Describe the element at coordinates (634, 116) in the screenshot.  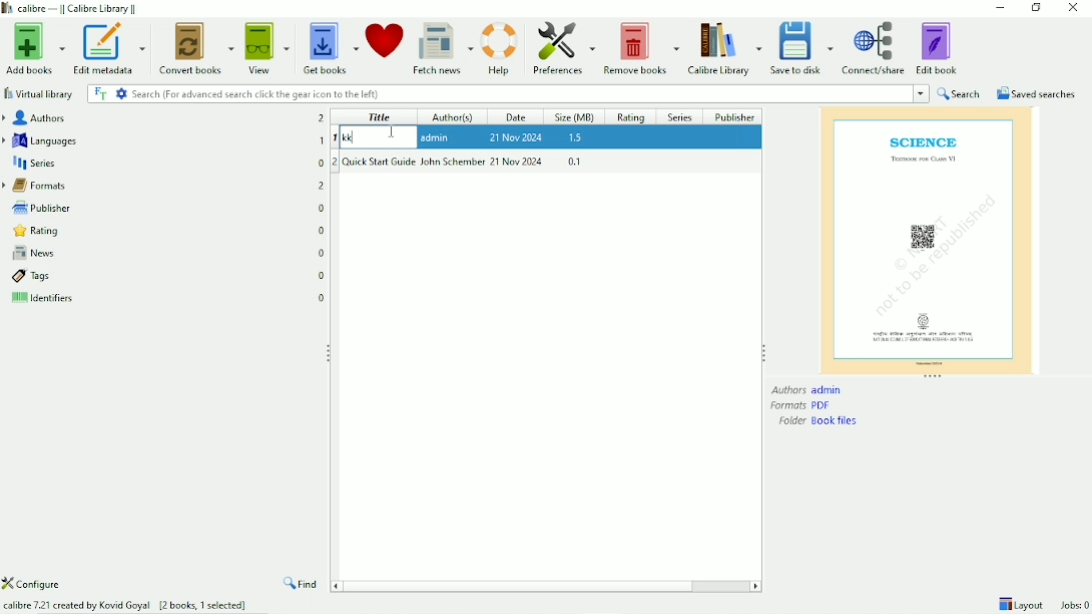
I see `Rating` at that location.